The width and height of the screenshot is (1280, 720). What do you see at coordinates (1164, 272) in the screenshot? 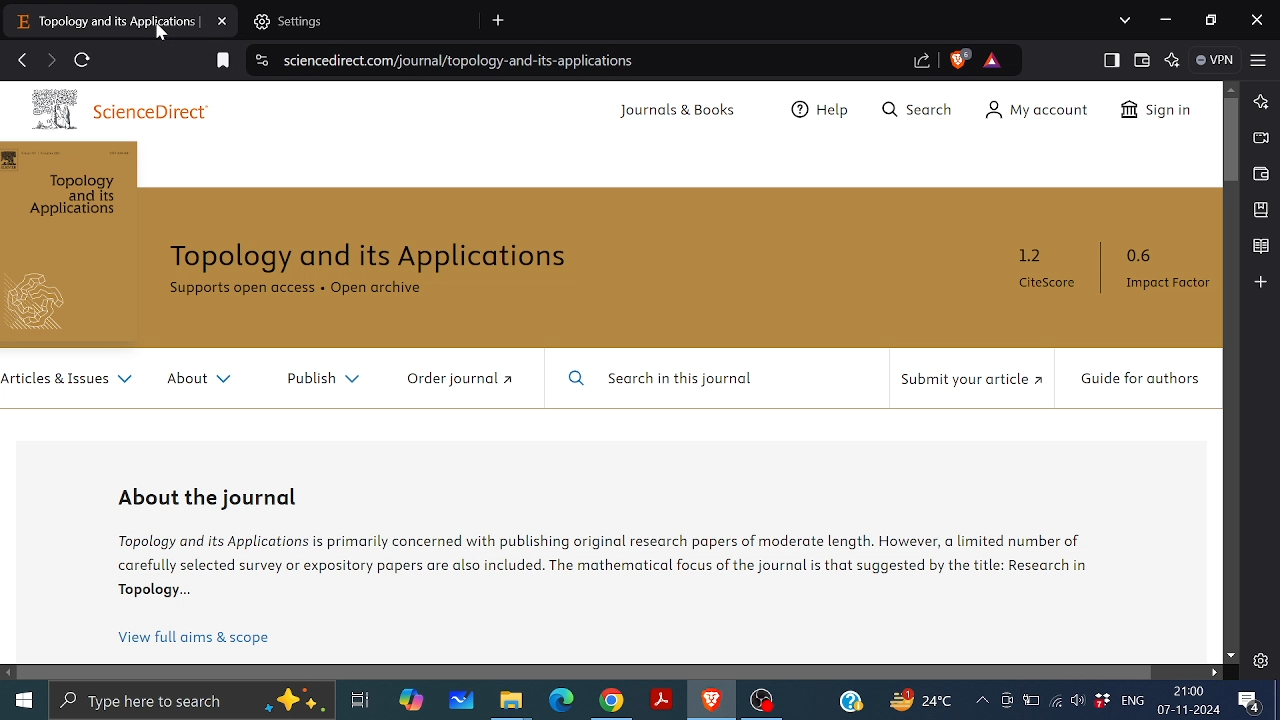
I see `0.6
Impact Factor` at bounding box center [1164, 272].